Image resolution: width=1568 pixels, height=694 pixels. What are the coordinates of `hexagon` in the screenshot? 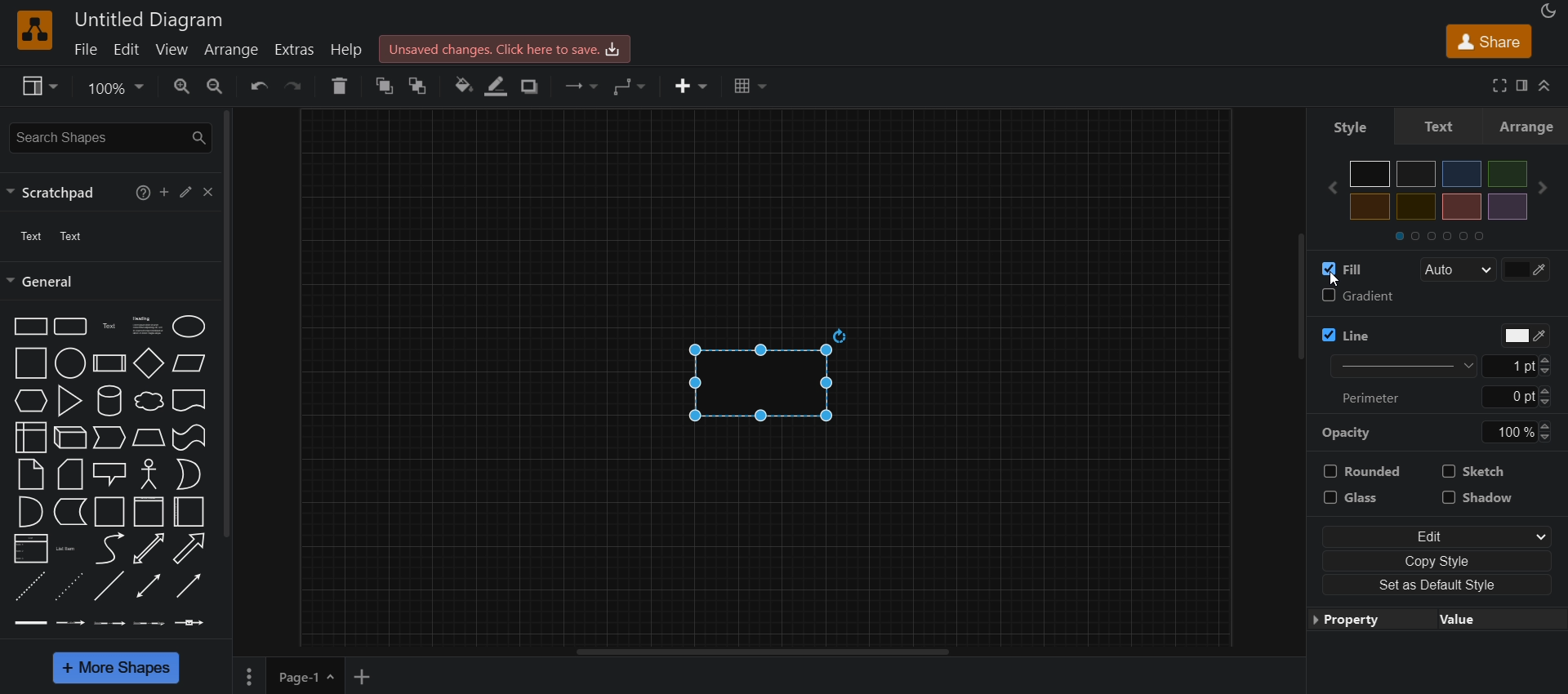 It's located at (29, 401).